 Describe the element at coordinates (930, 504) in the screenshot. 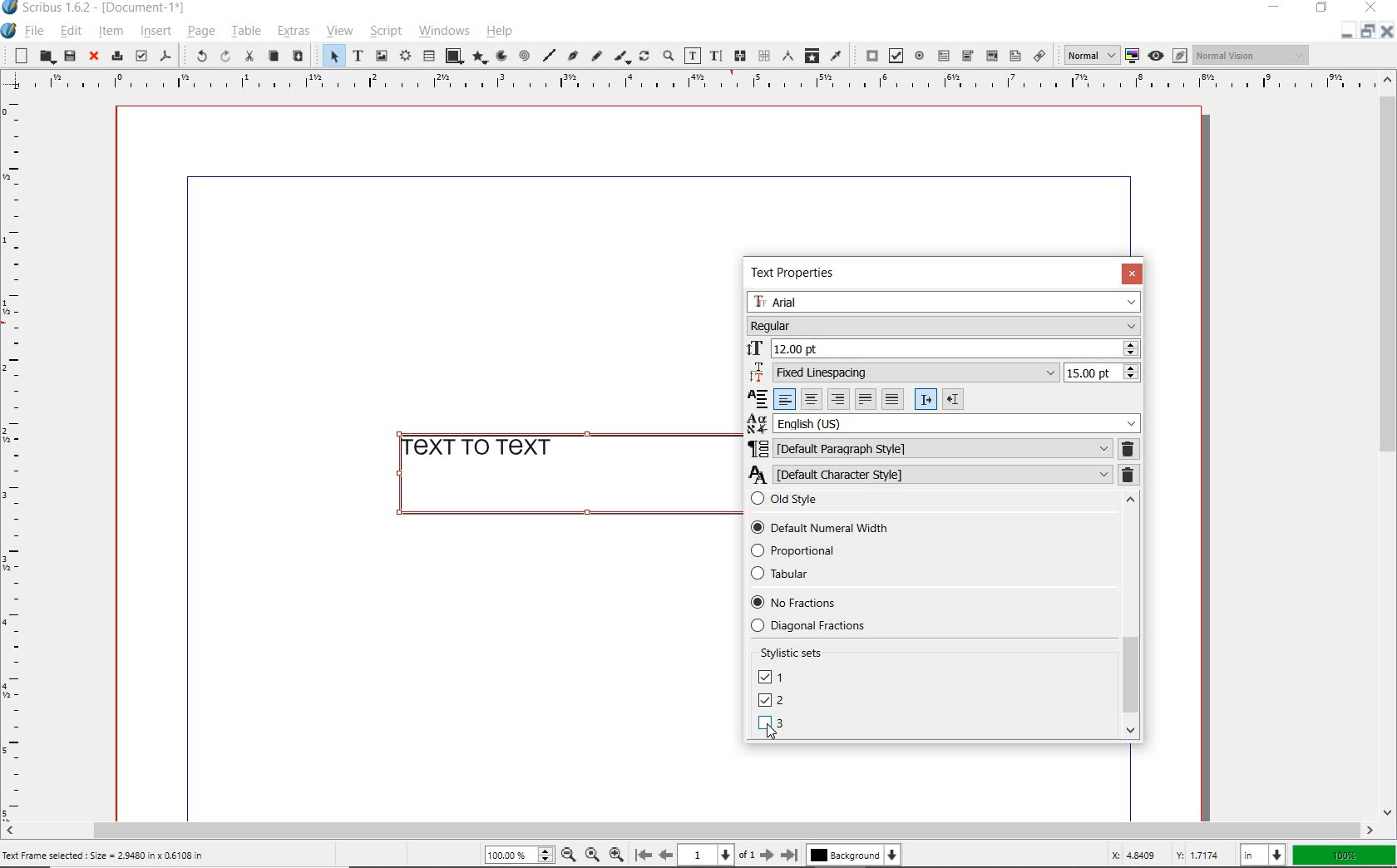

I see `Old style` at that location.